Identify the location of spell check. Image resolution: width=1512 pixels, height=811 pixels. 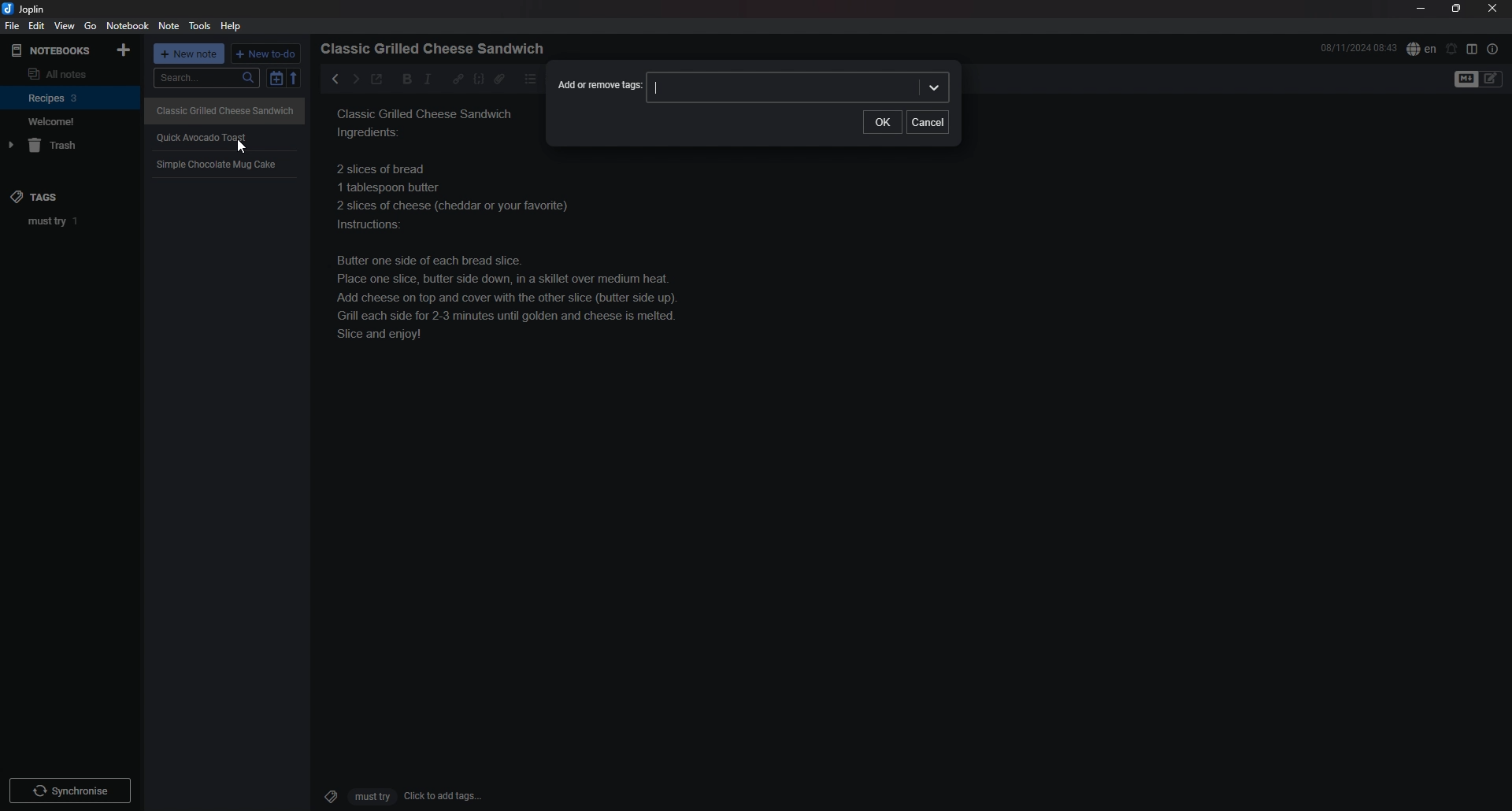
(1421, 48).